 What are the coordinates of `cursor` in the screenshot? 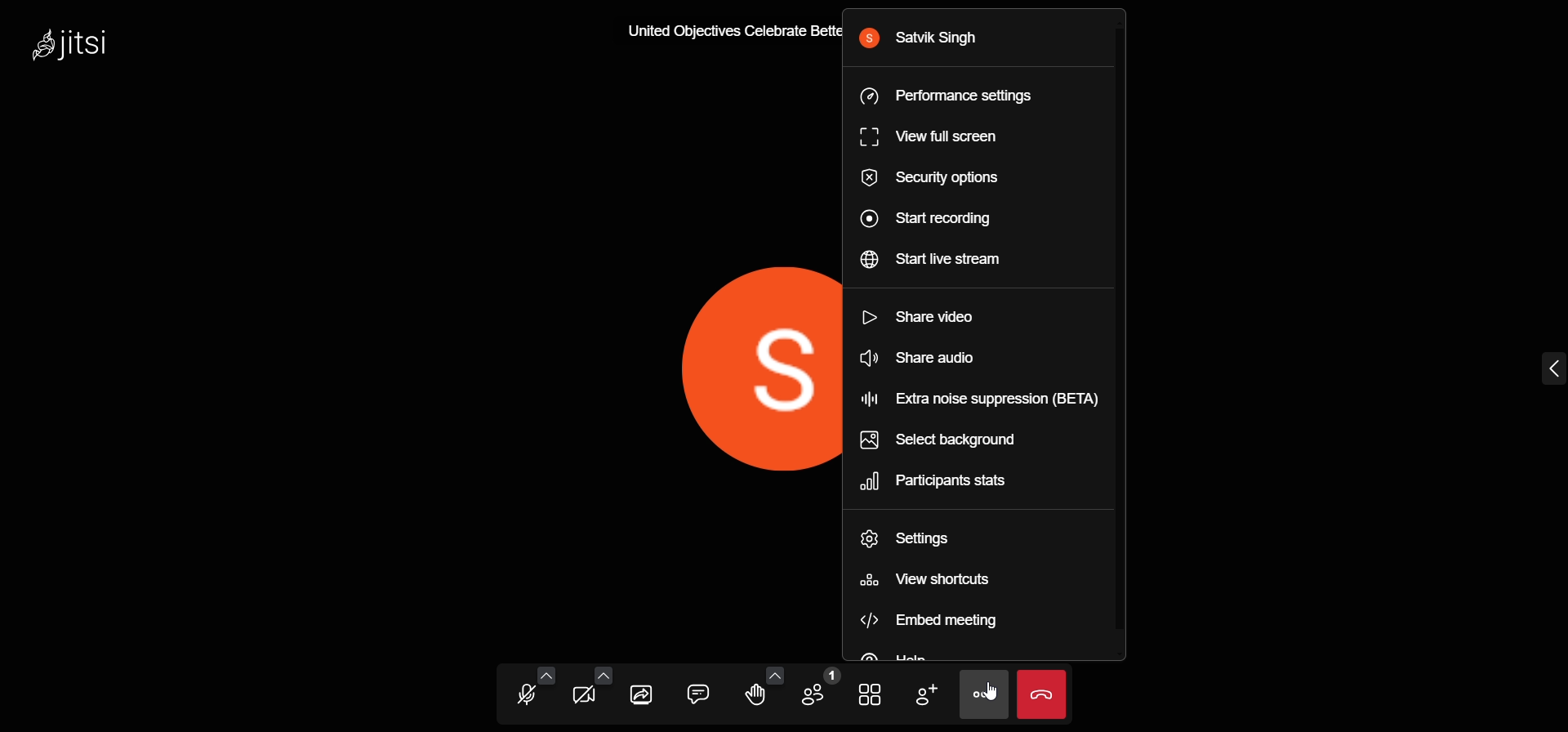 It's located at (1000, 694).